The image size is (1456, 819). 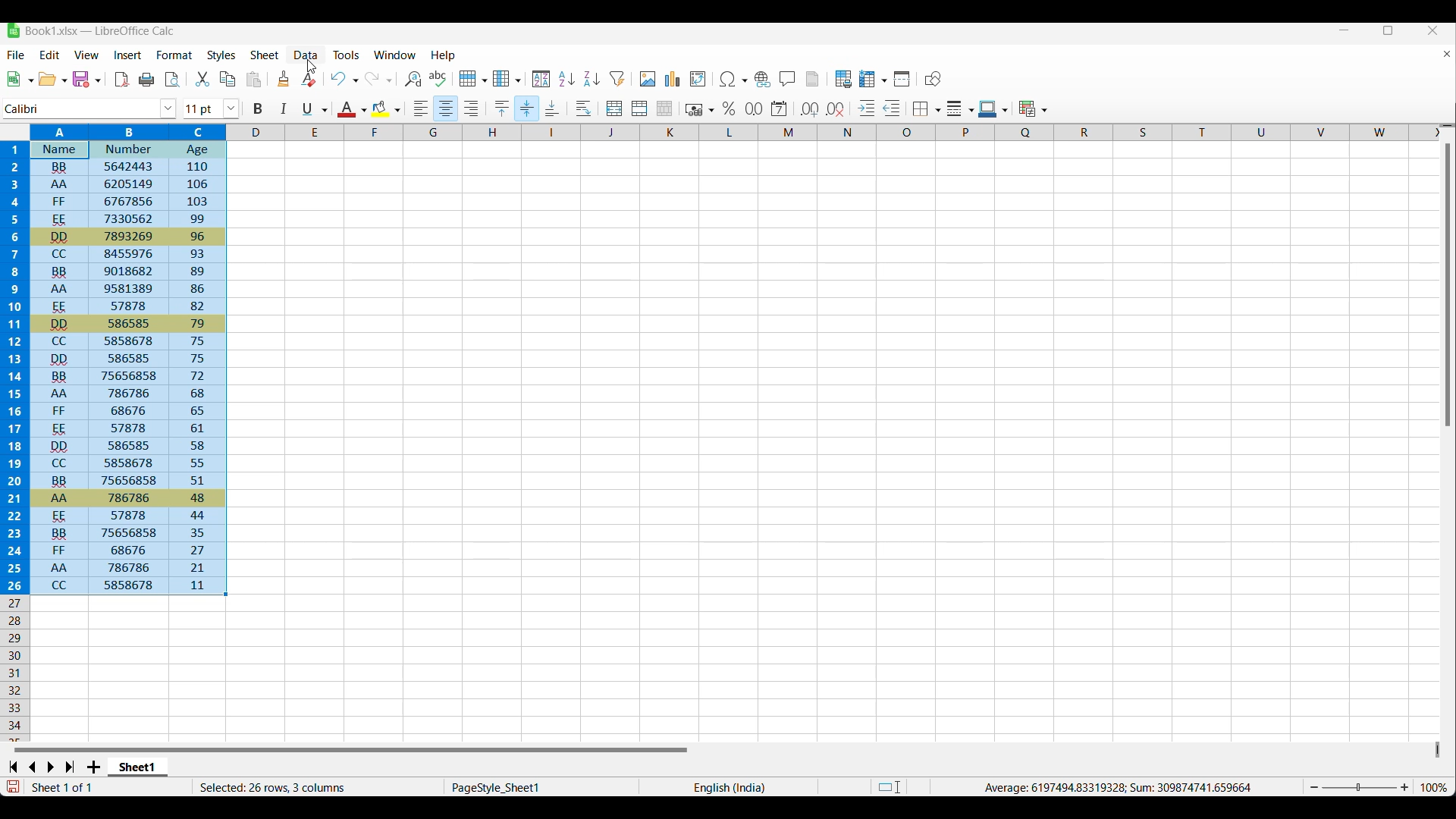 I want to click on File menu, so click(x=17, y=55).